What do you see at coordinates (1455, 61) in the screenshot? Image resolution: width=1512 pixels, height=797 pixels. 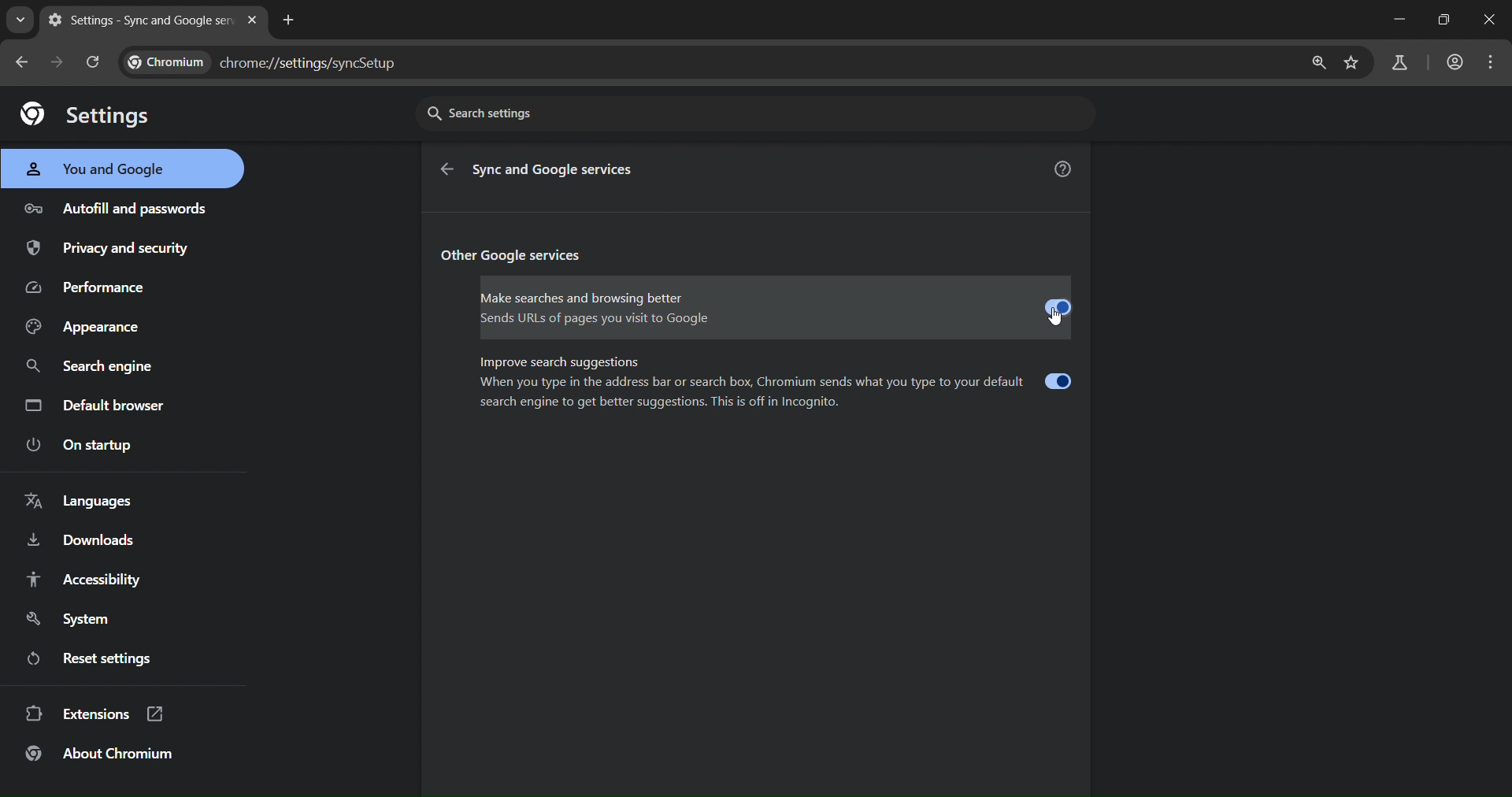 I see `account` at bounding box center [1455, 61].